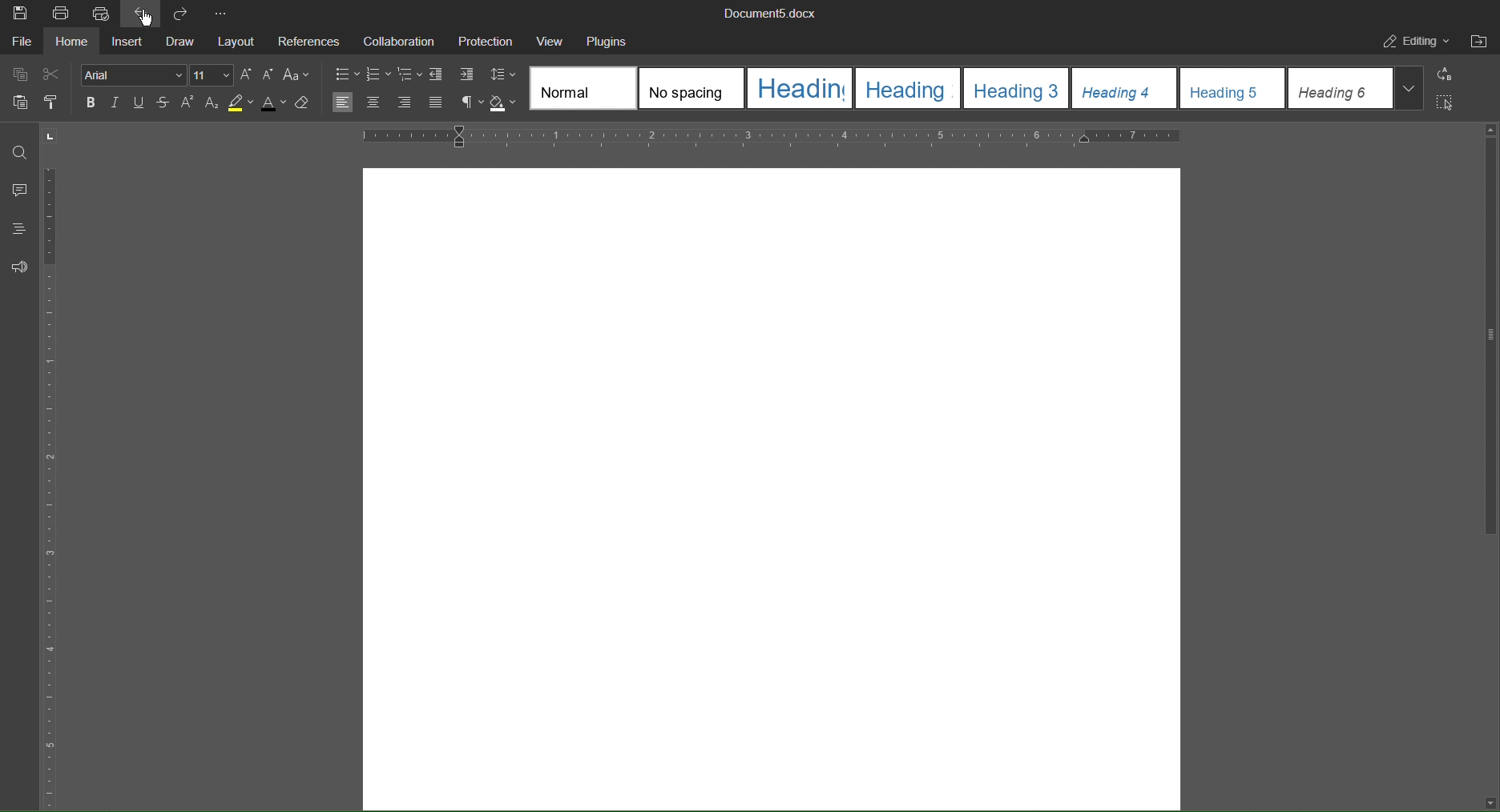 Image resolution: width=1500 pixels, height=812 pixels. Describe the element at coordinates (503, 104) in the screenshot. I see `Shadow` at that location.